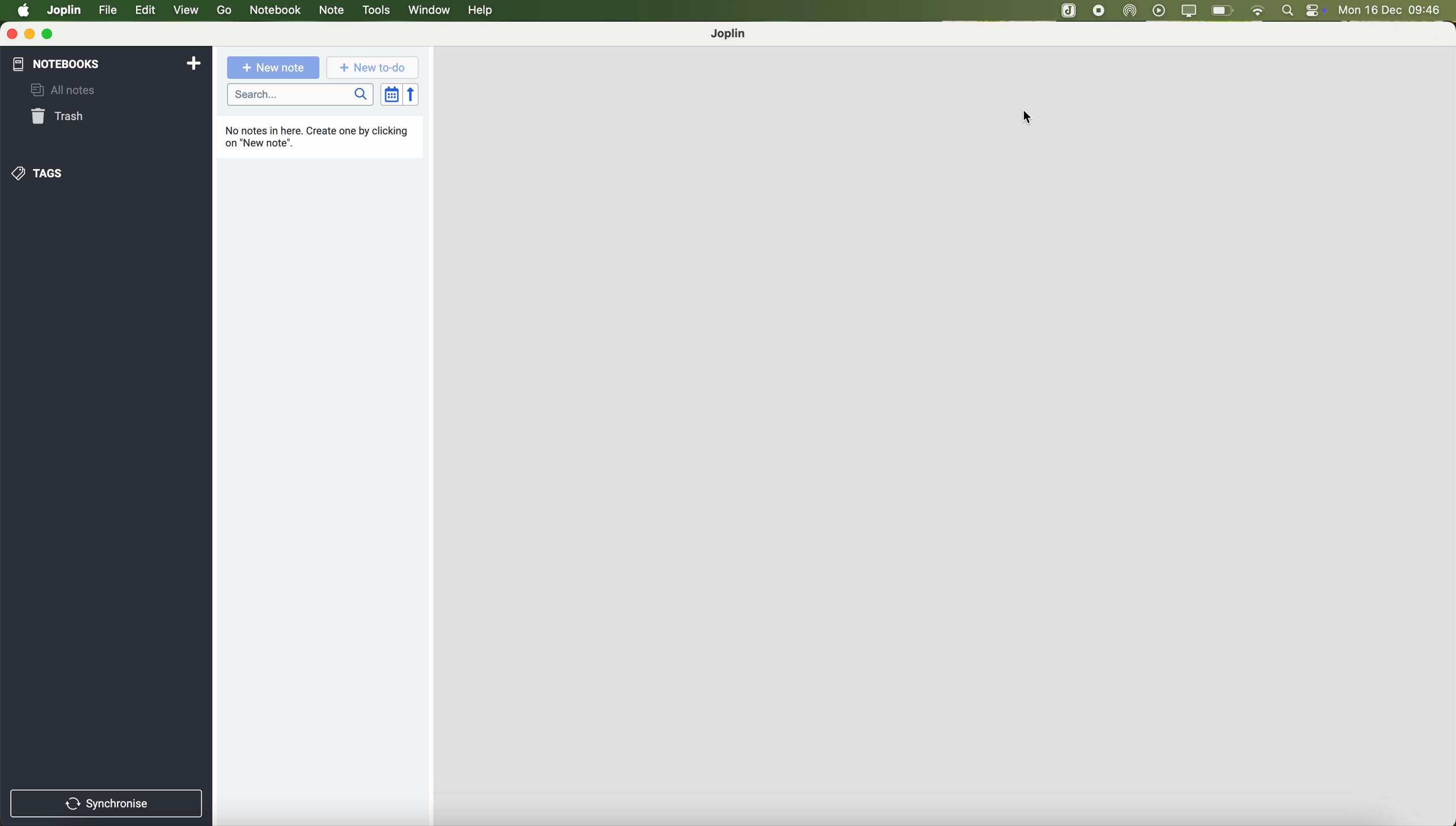  What do you see at coordinates (1102, 12) in the screenshot?
I see `Joplin app` at bounding box center [1102, 12].